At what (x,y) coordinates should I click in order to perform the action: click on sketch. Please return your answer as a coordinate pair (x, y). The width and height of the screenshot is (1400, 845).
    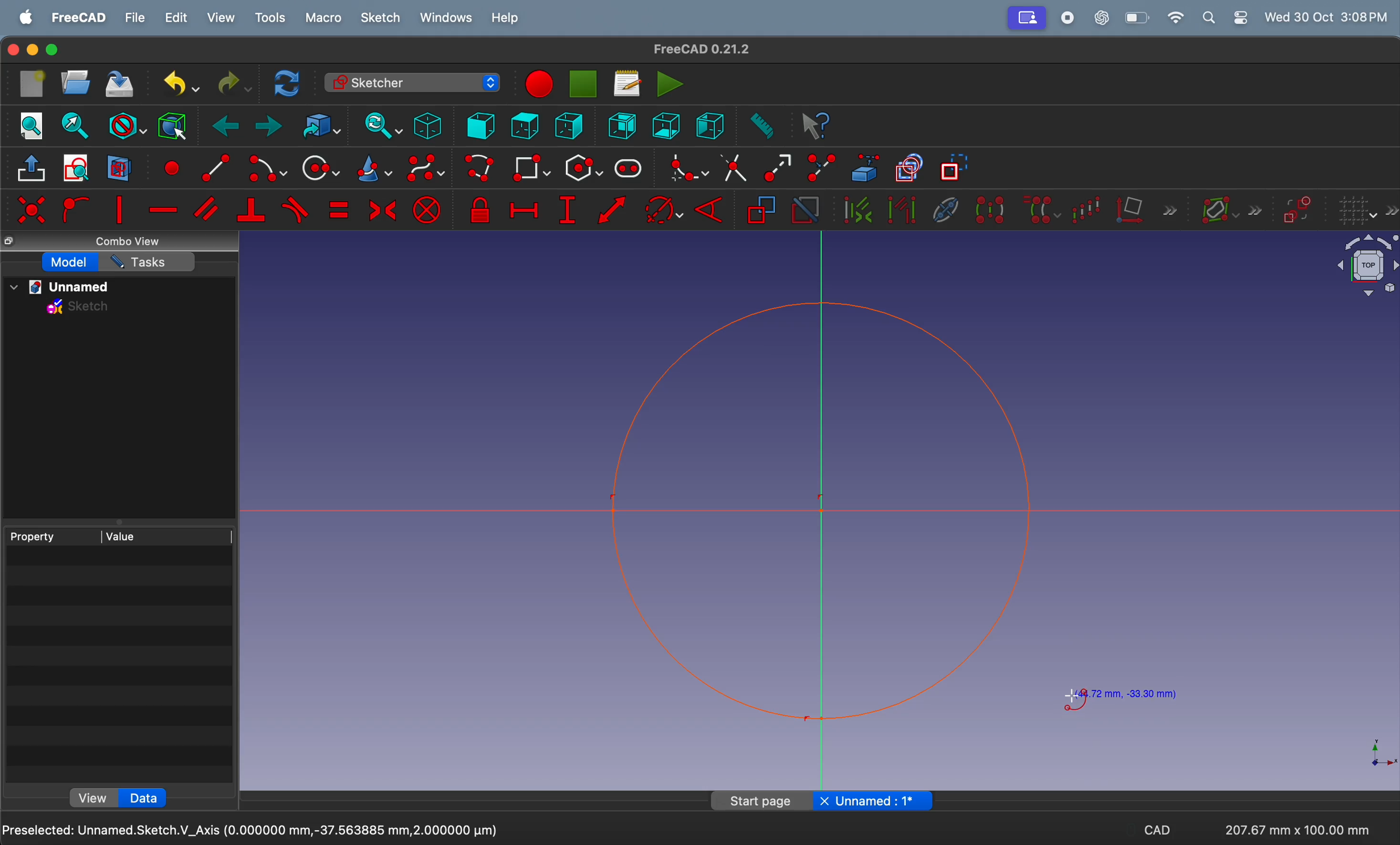
    Looking at the image, I should click on (79, 309).